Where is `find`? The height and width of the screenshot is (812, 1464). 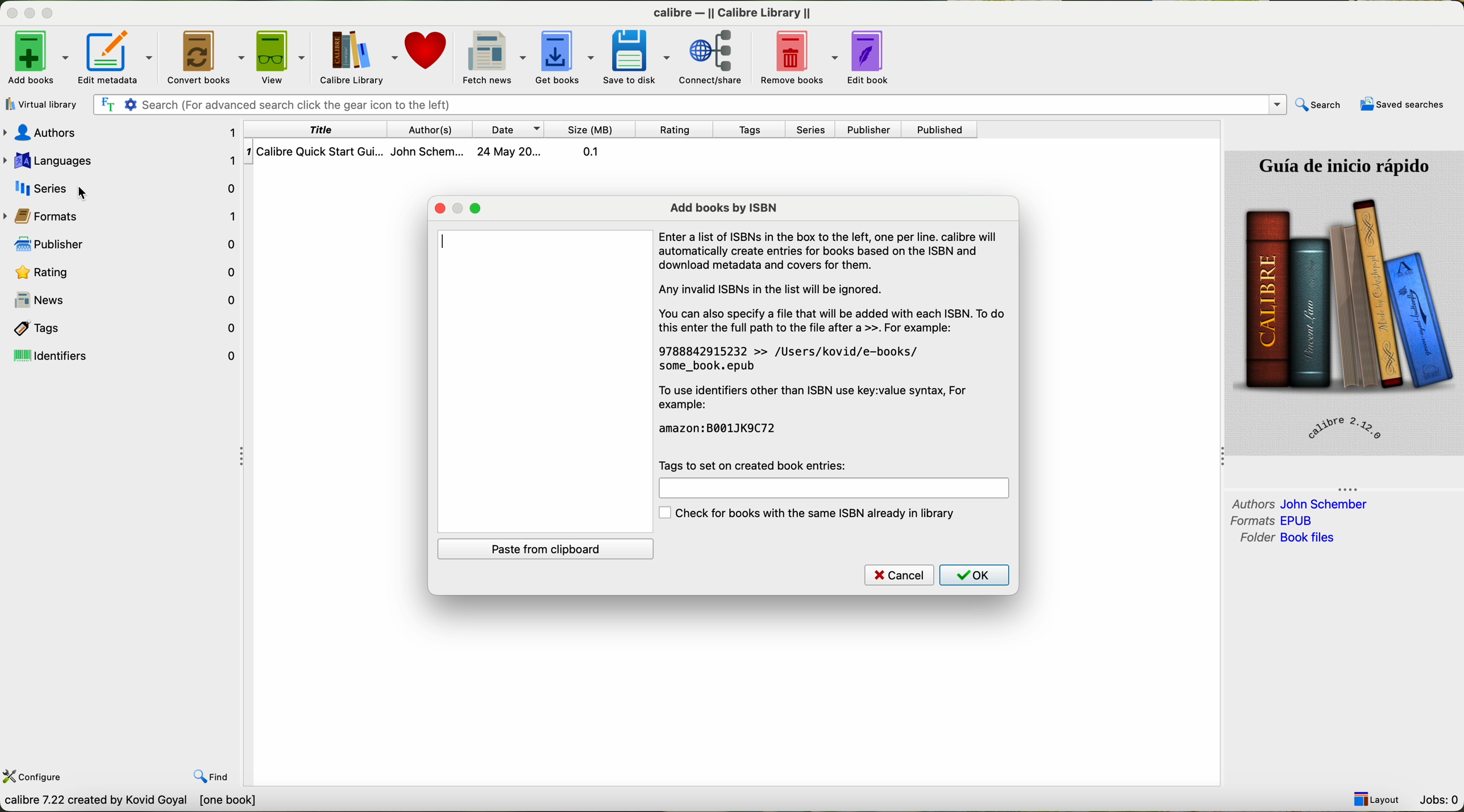 find is located at coordinates (212, 776).